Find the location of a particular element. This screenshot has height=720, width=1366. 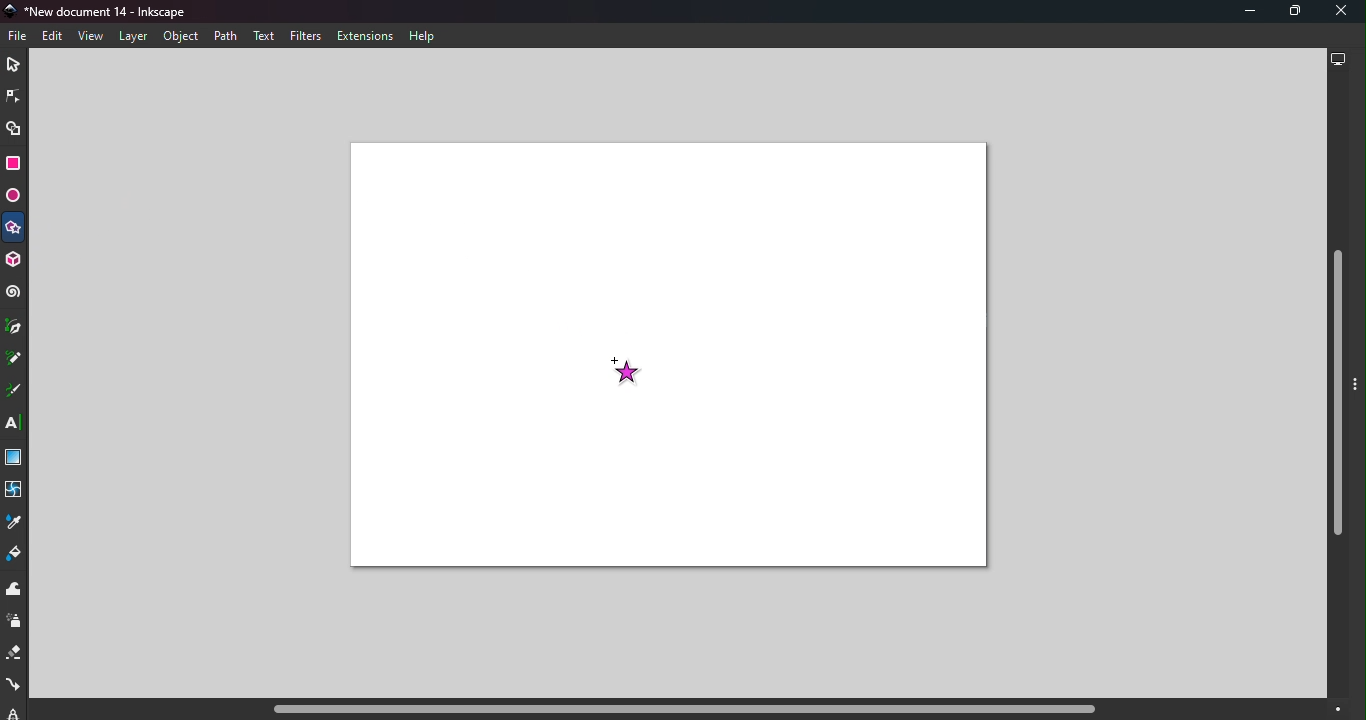

Node tool is located at coordinates (12, 96).